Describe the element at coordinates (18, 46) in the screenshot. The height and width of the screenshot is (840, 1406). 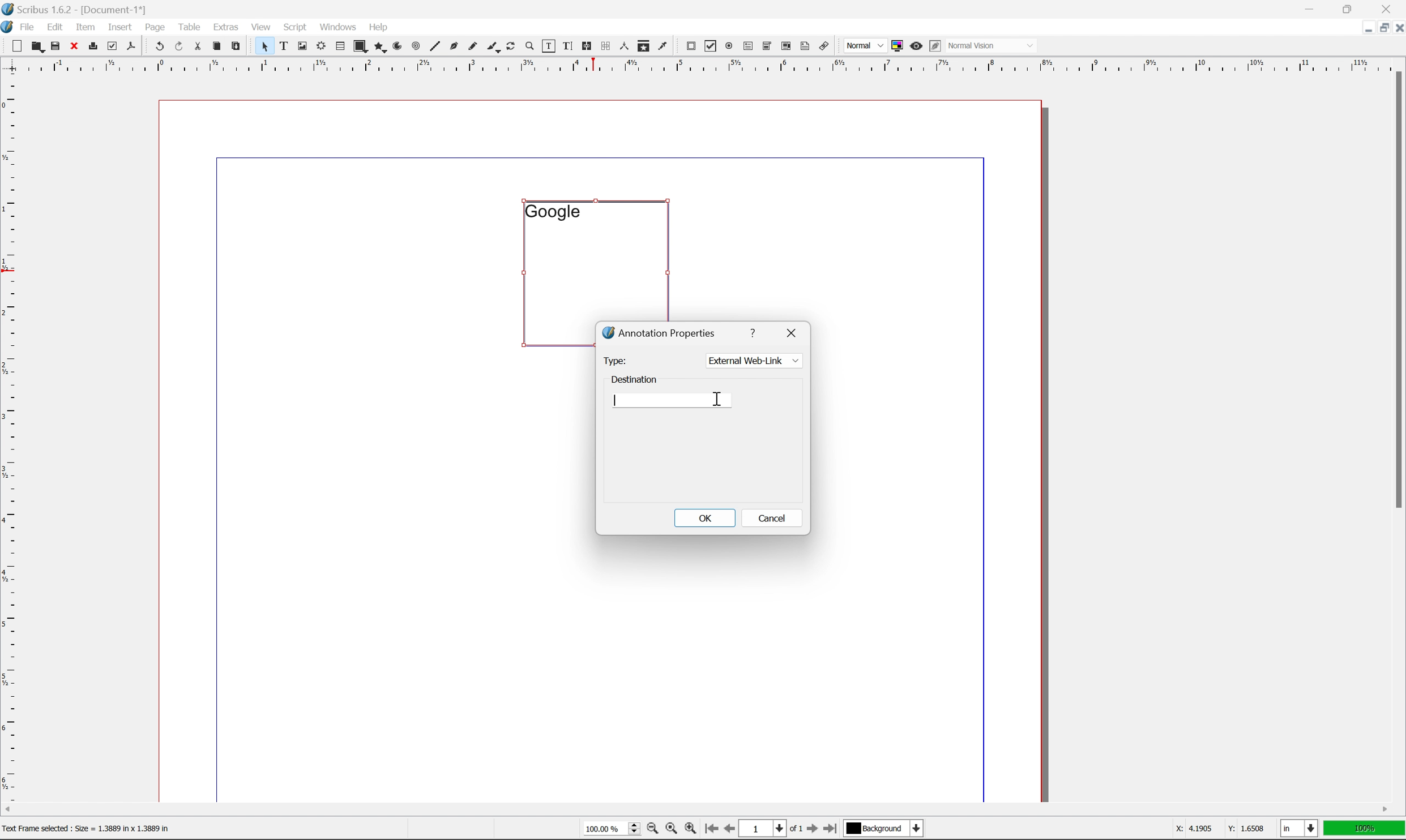
I see `new` at that location.